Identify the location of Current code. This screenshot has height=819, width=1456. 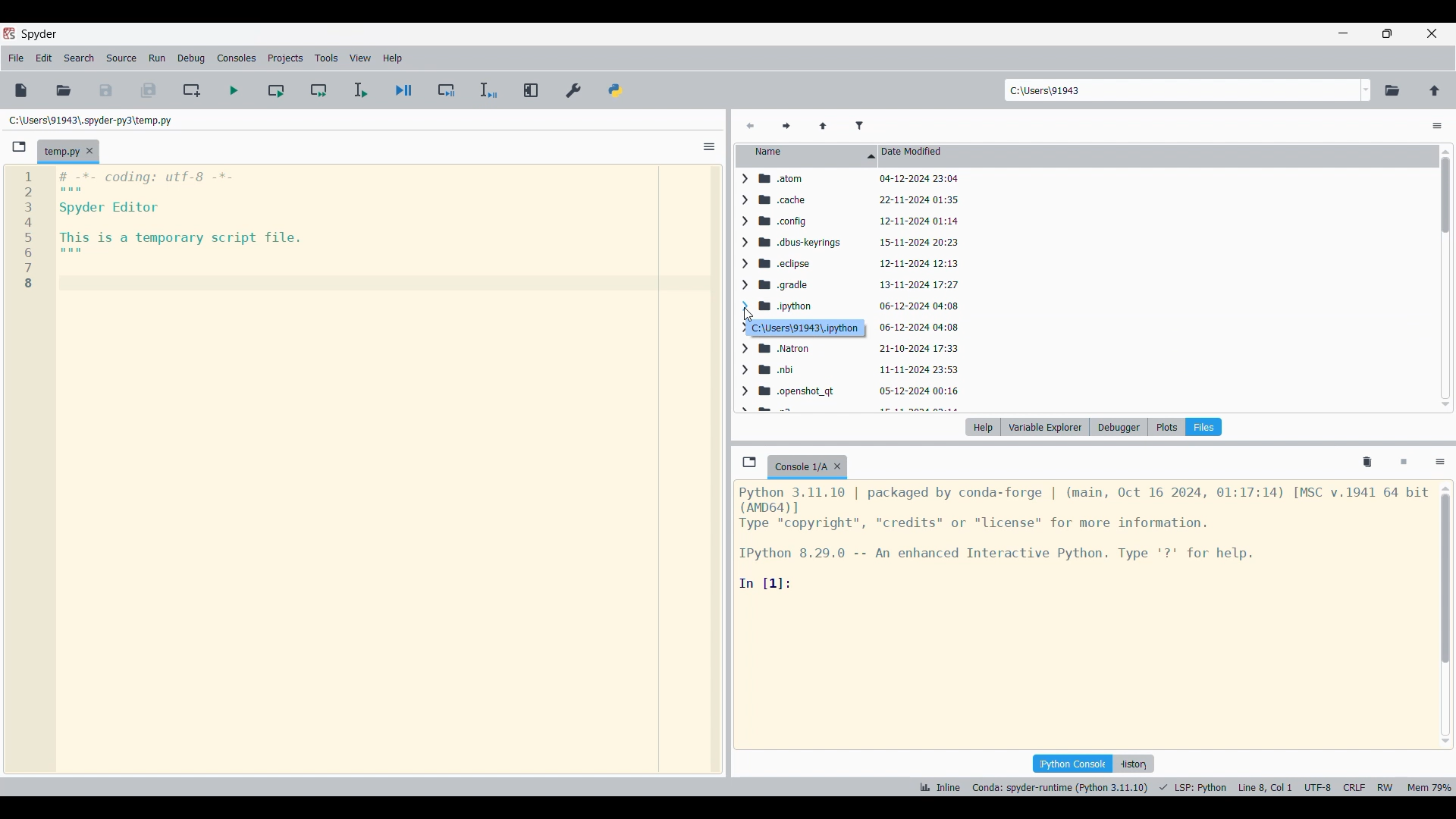
(156, 231).